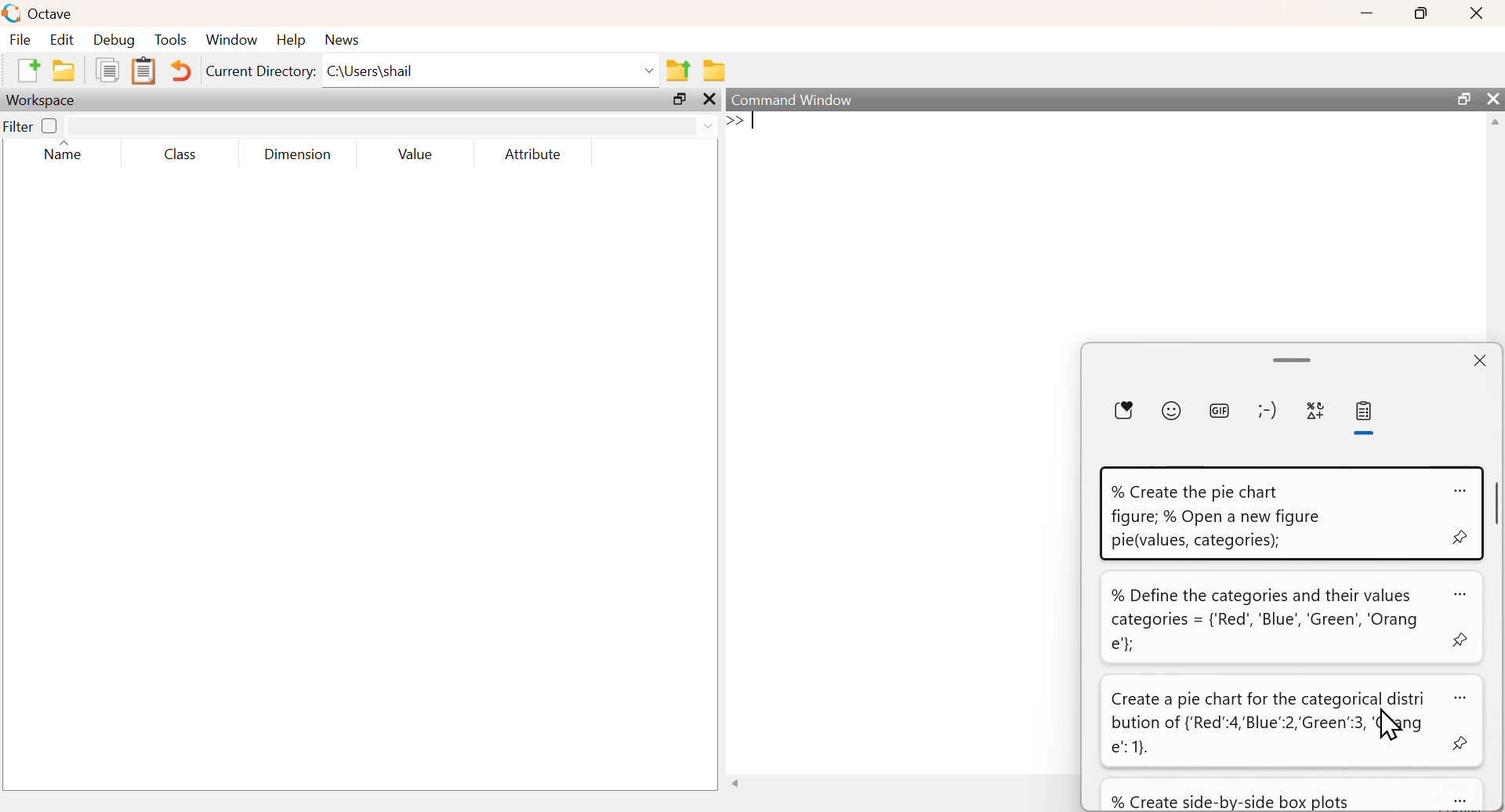 Image resolution: width=1505 pixels, height=812 pixels. I want to click on close, so click(1492, 97).